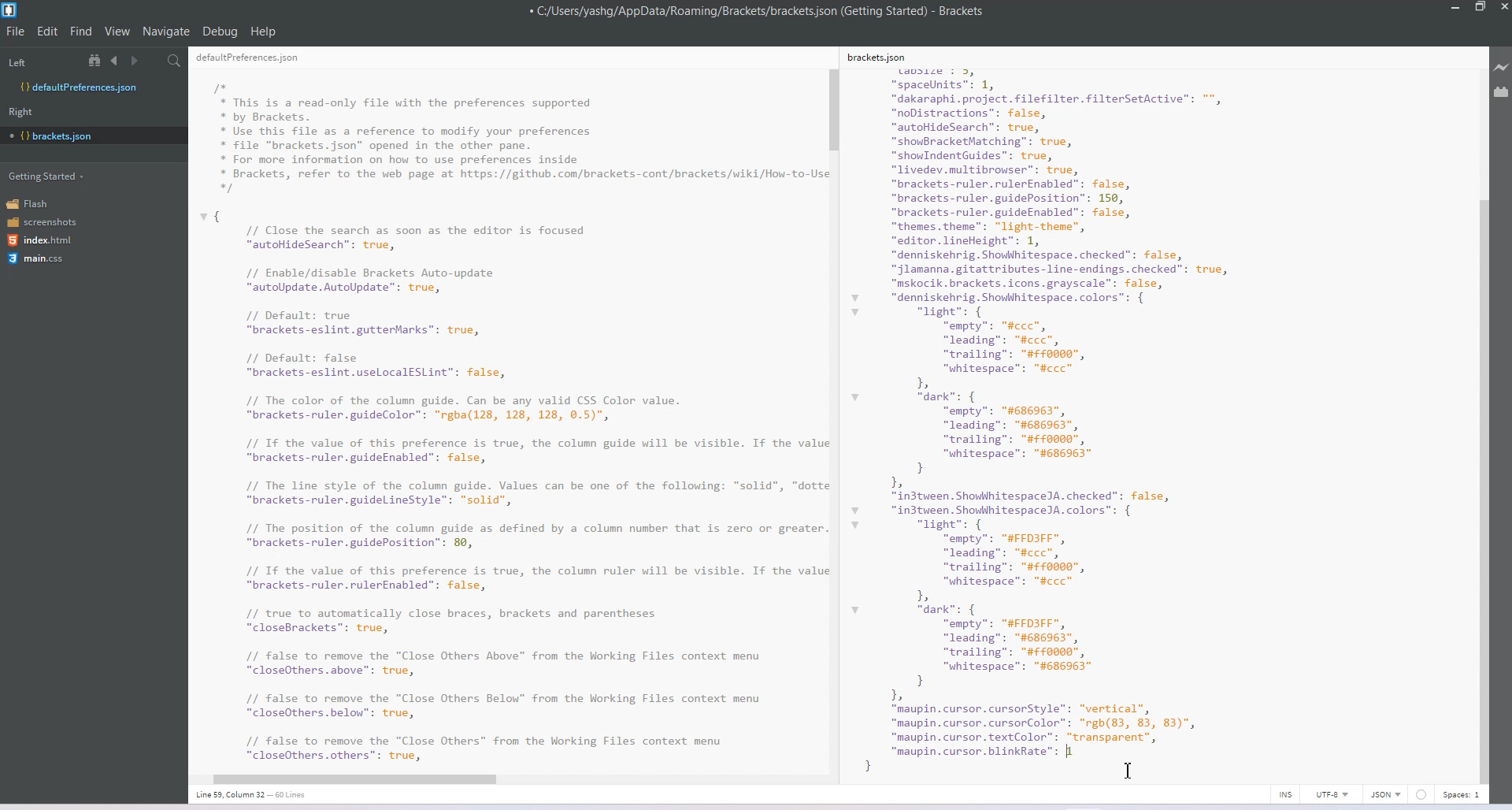  I want to click on Close, so click(1503, 9).